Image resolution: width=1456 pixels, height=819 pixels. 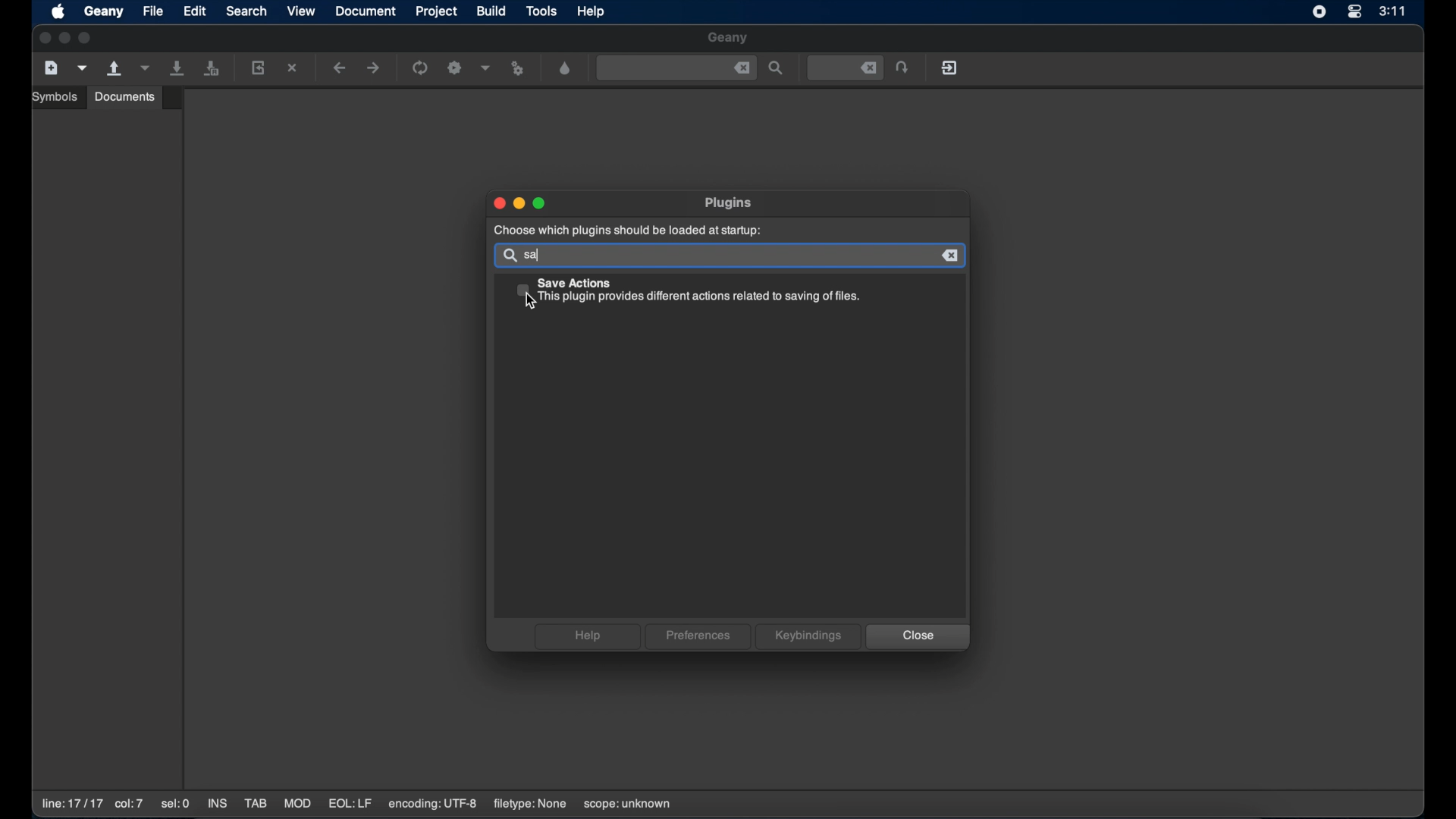 I want to click on choose more build options, so click(x=486, y=67).